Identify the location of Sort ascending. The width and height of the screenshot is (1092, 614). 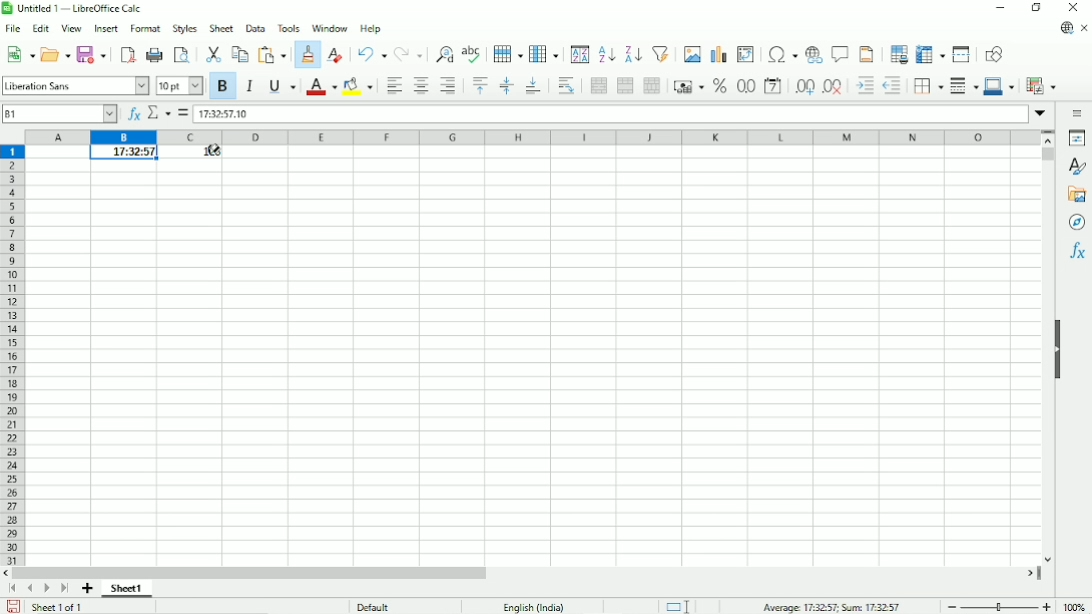
(606, 54).